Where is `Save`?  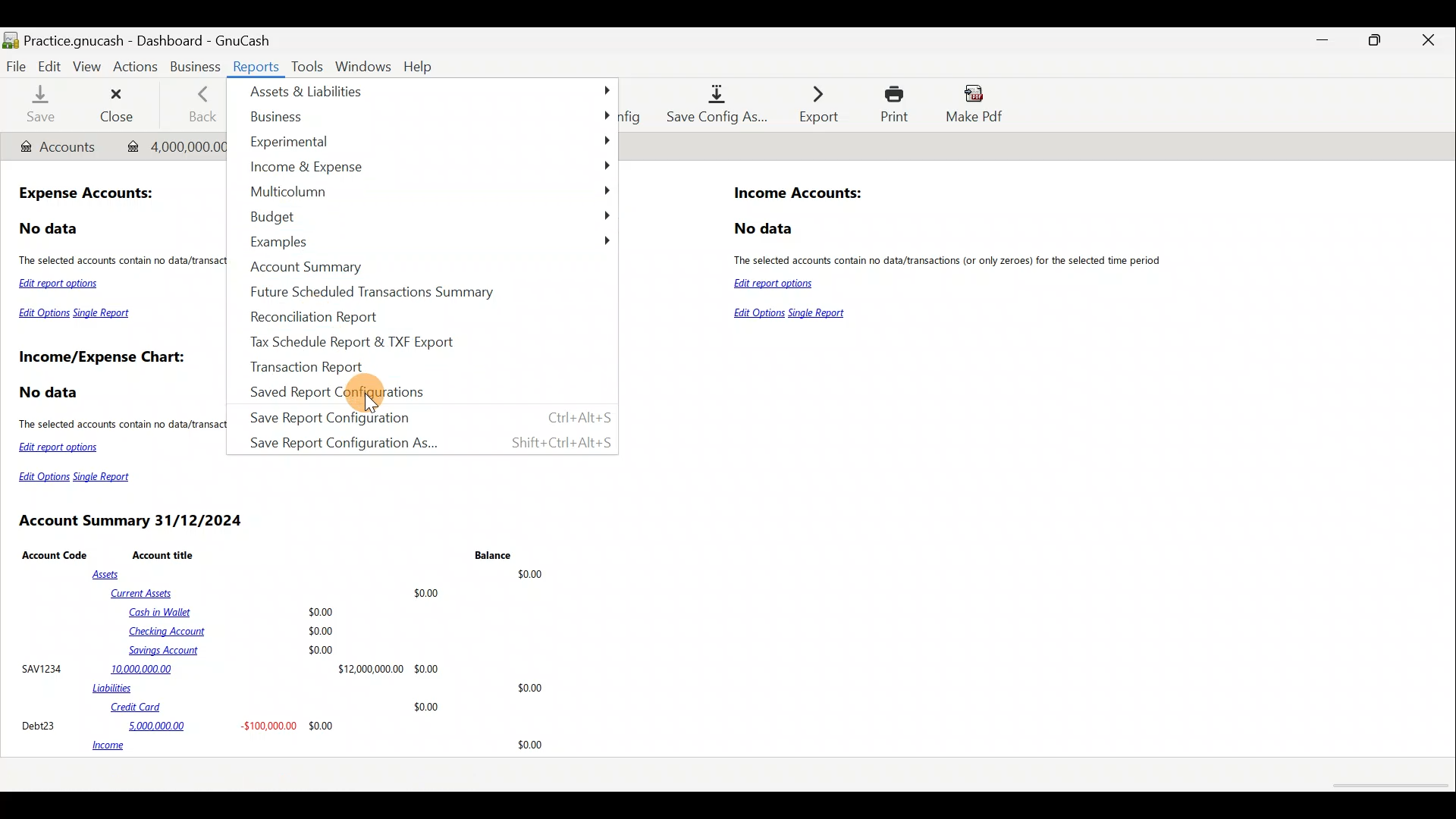 Save is located at coordinates (40, 106).